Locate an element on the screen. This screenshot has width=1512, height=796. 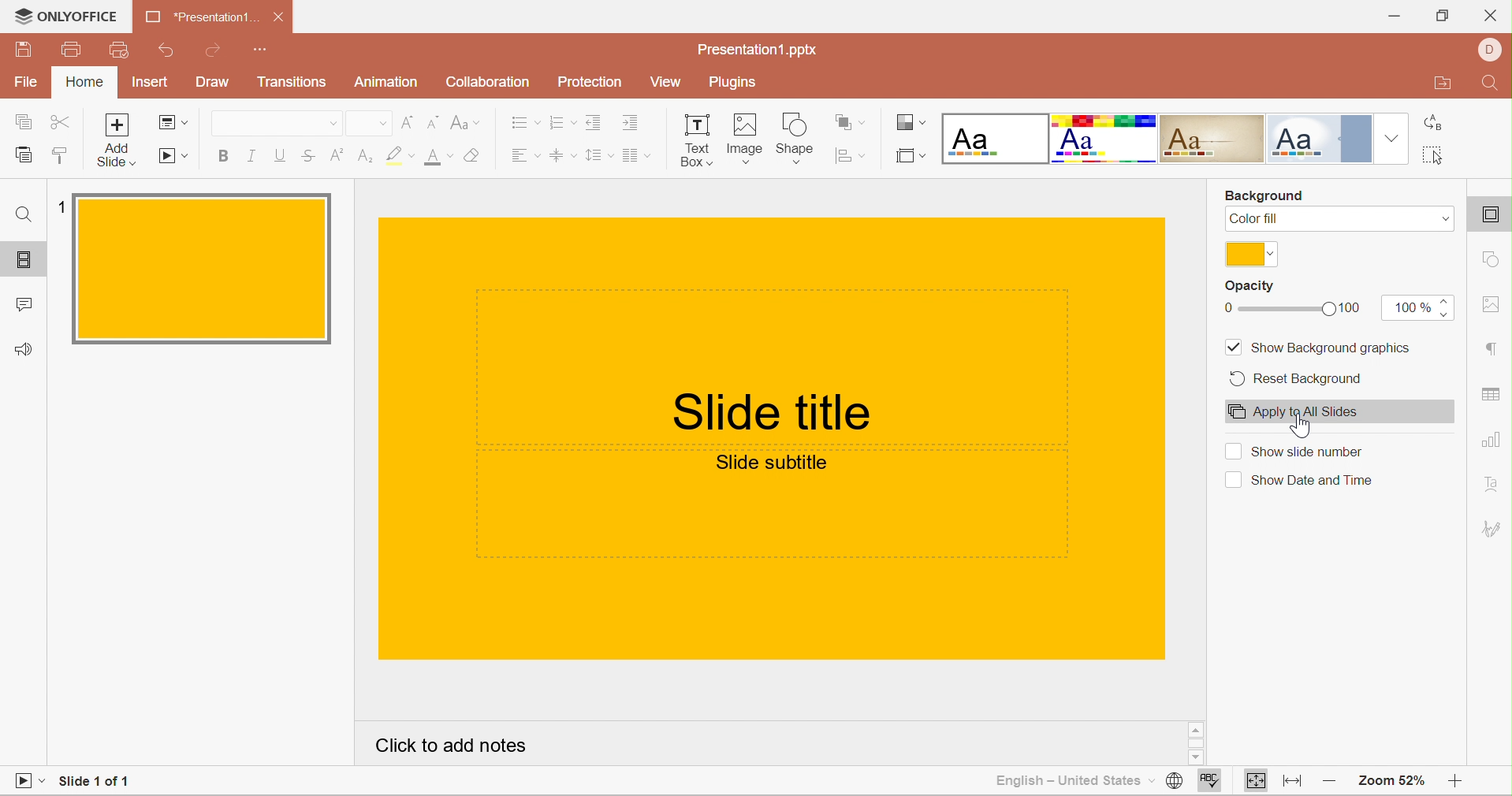
Zoom out is located at coordinates (1331, 783).